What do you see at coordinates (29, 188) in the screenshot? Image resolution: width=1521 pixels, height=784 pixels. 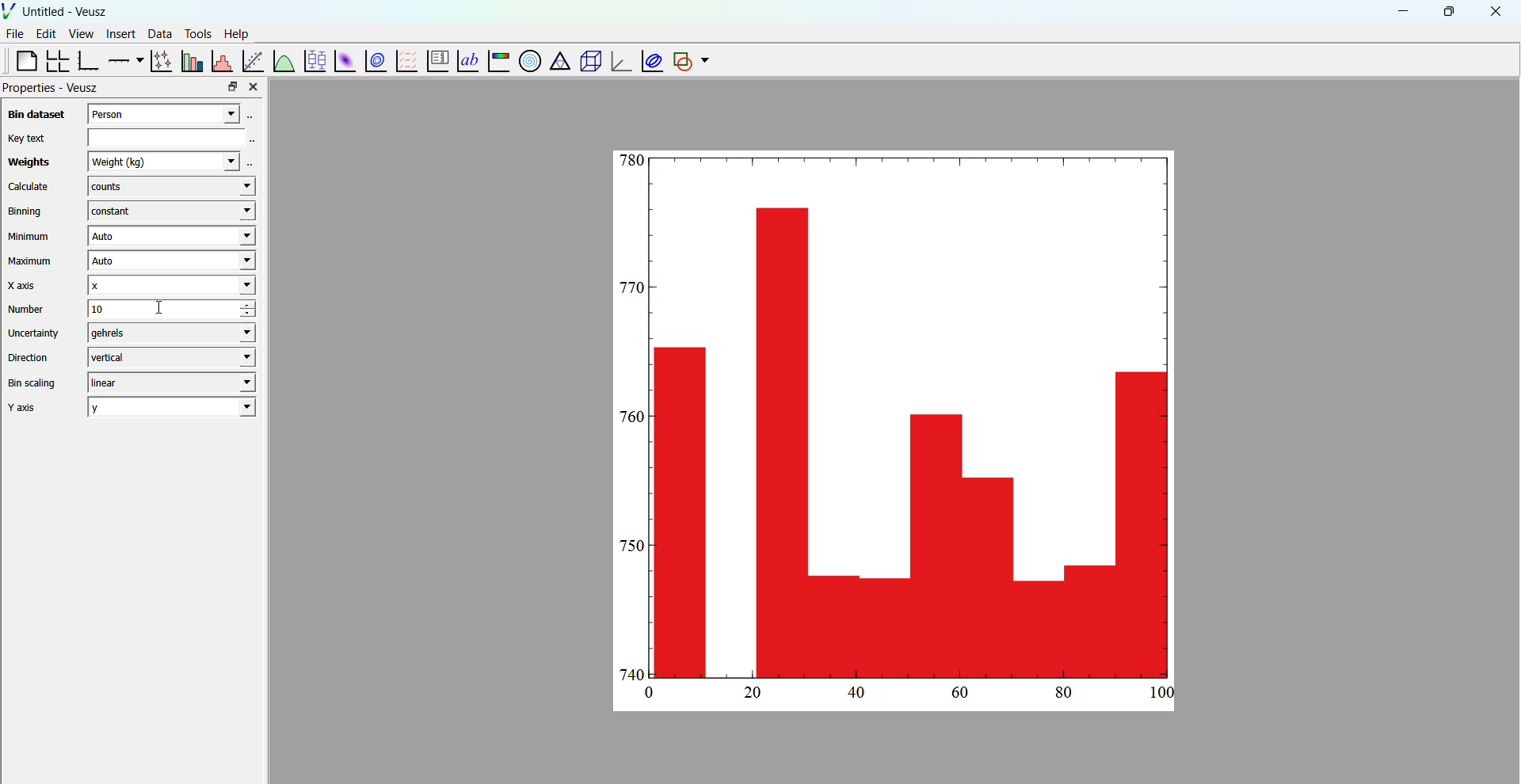 I see `Calculate` at bounding box center [29, 188].